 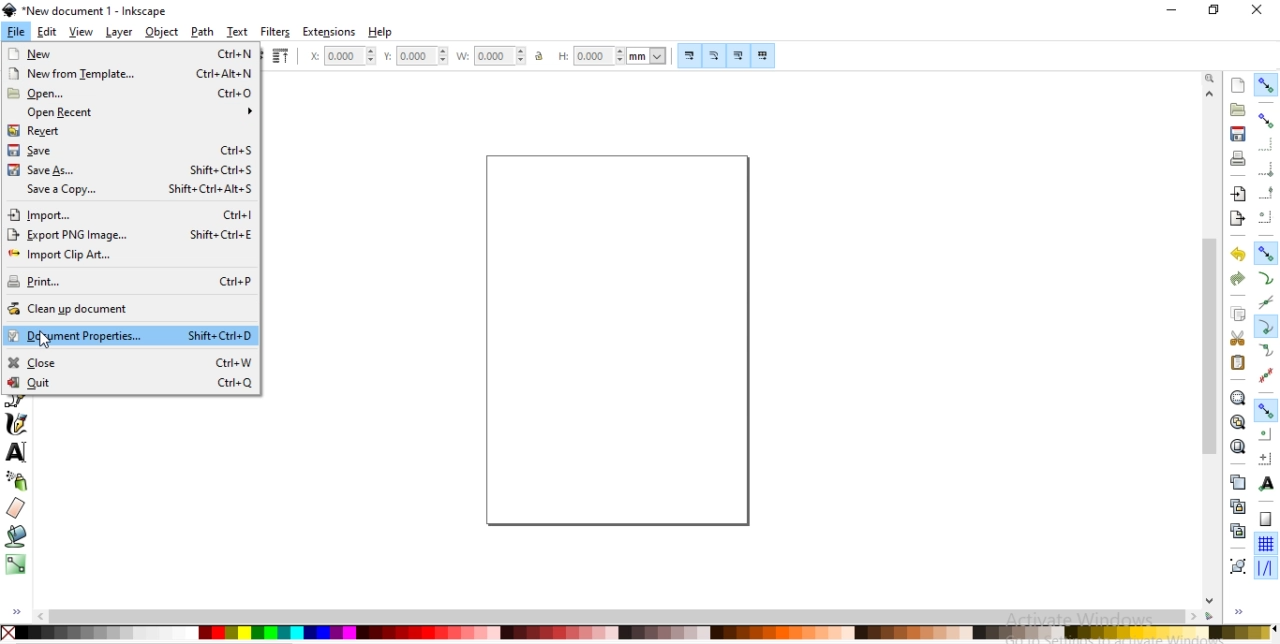 I want to click on minimize, so click(x=1169, y=8).